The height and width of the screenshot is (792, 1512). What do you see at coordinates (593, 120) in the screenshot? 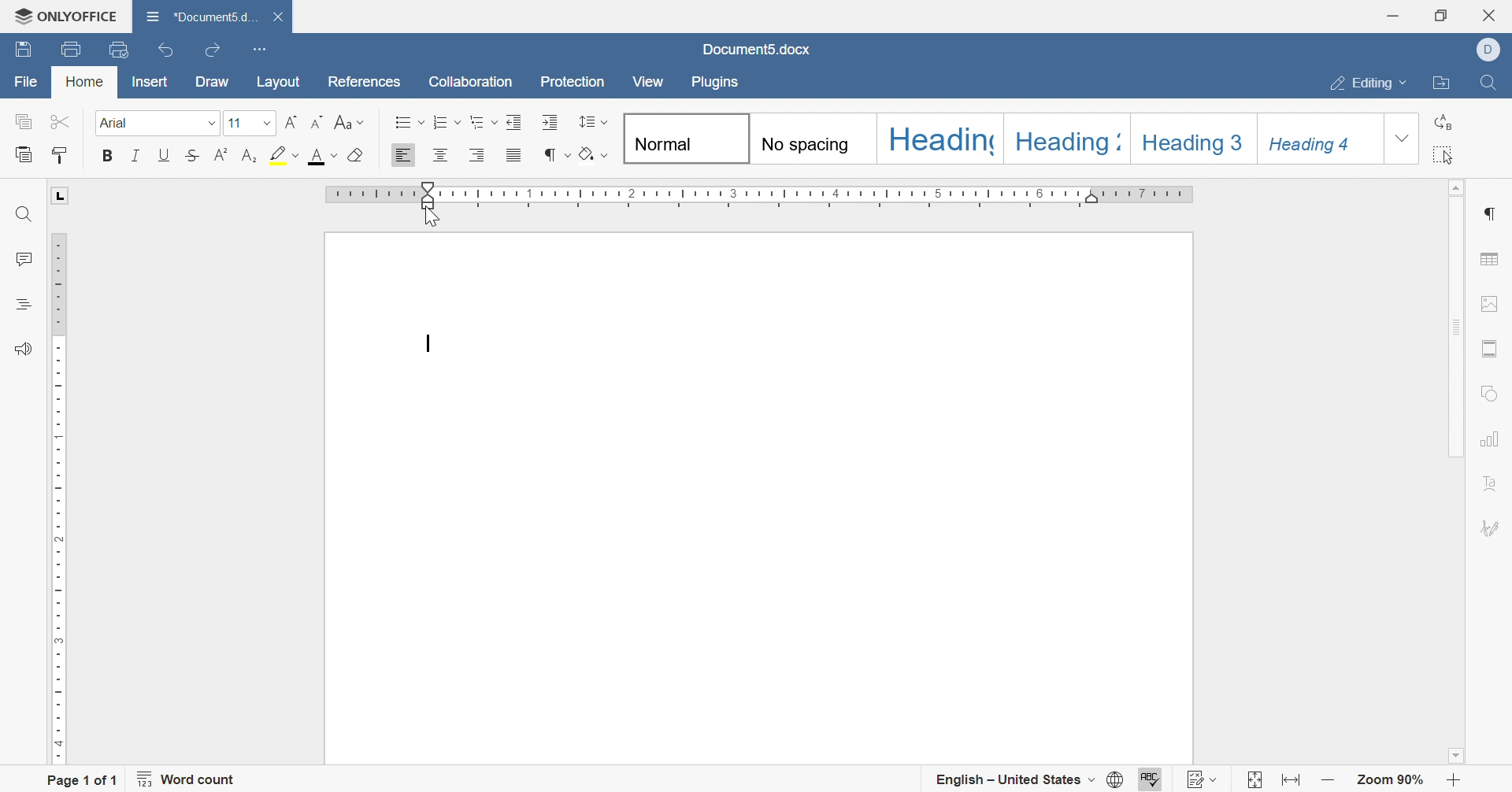
I see `line spacing` at bounding box center [593, 120].